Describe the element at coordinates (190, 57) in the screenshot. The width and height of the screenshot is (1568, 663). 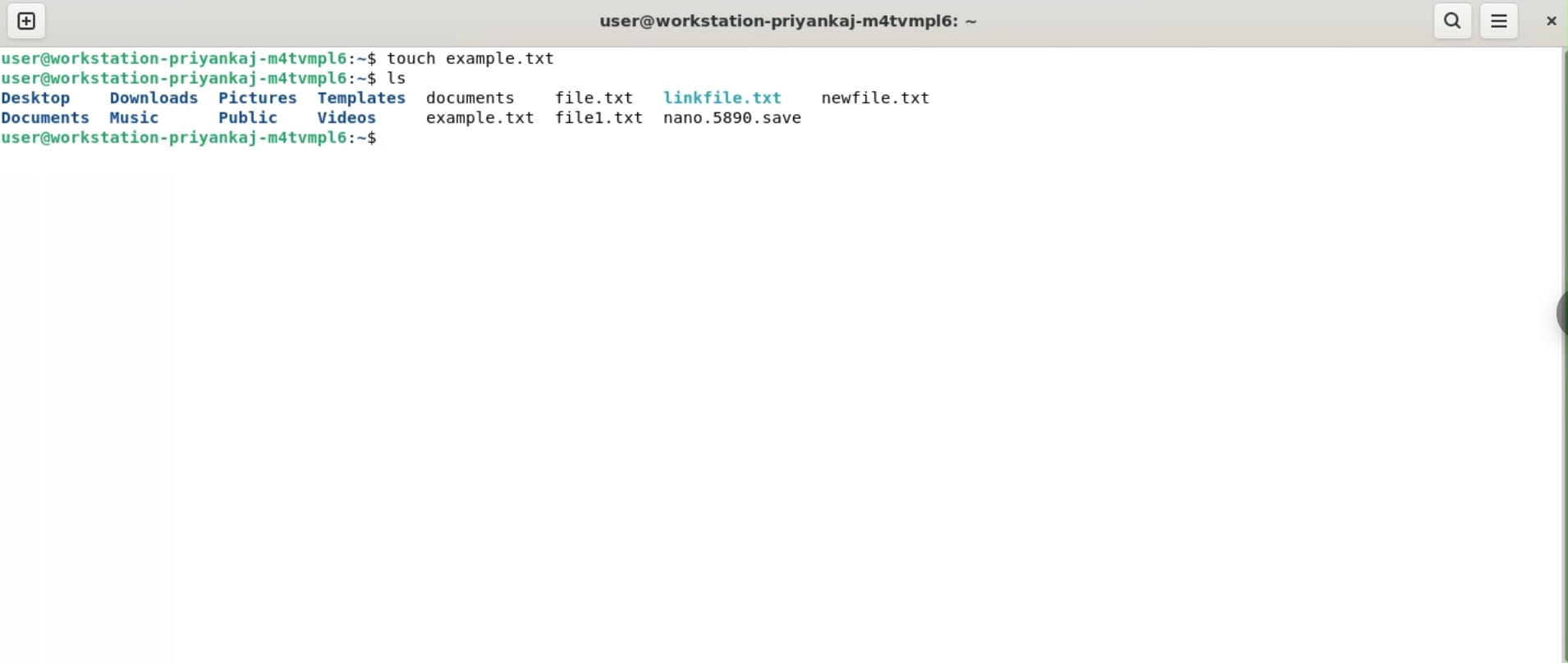
I see `user@workstation-priyankaj-m4tvmpl6: ~$` at that location.